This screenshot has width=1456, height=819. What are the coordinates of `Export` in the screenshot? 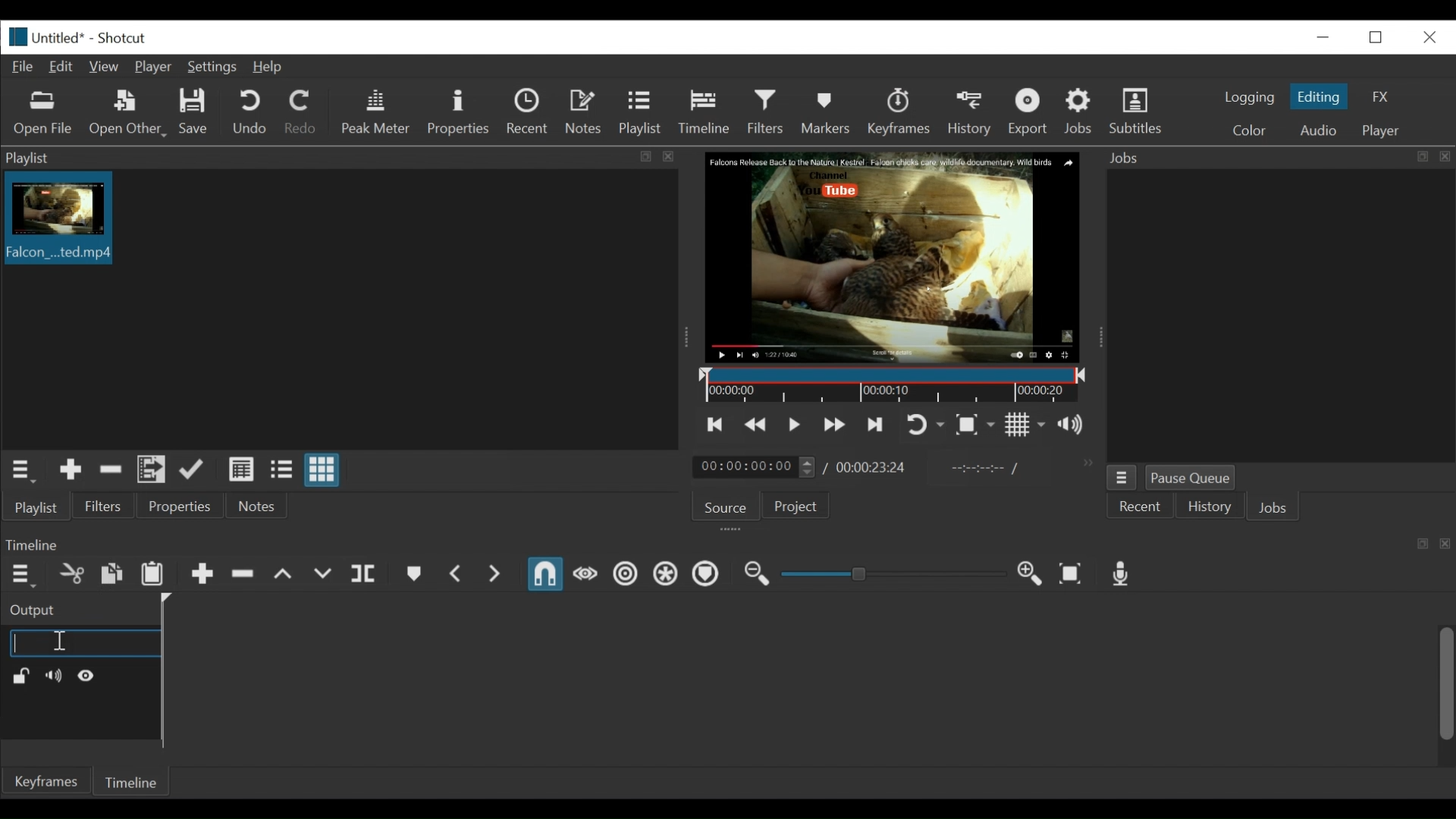 It's located at (1029, 113).